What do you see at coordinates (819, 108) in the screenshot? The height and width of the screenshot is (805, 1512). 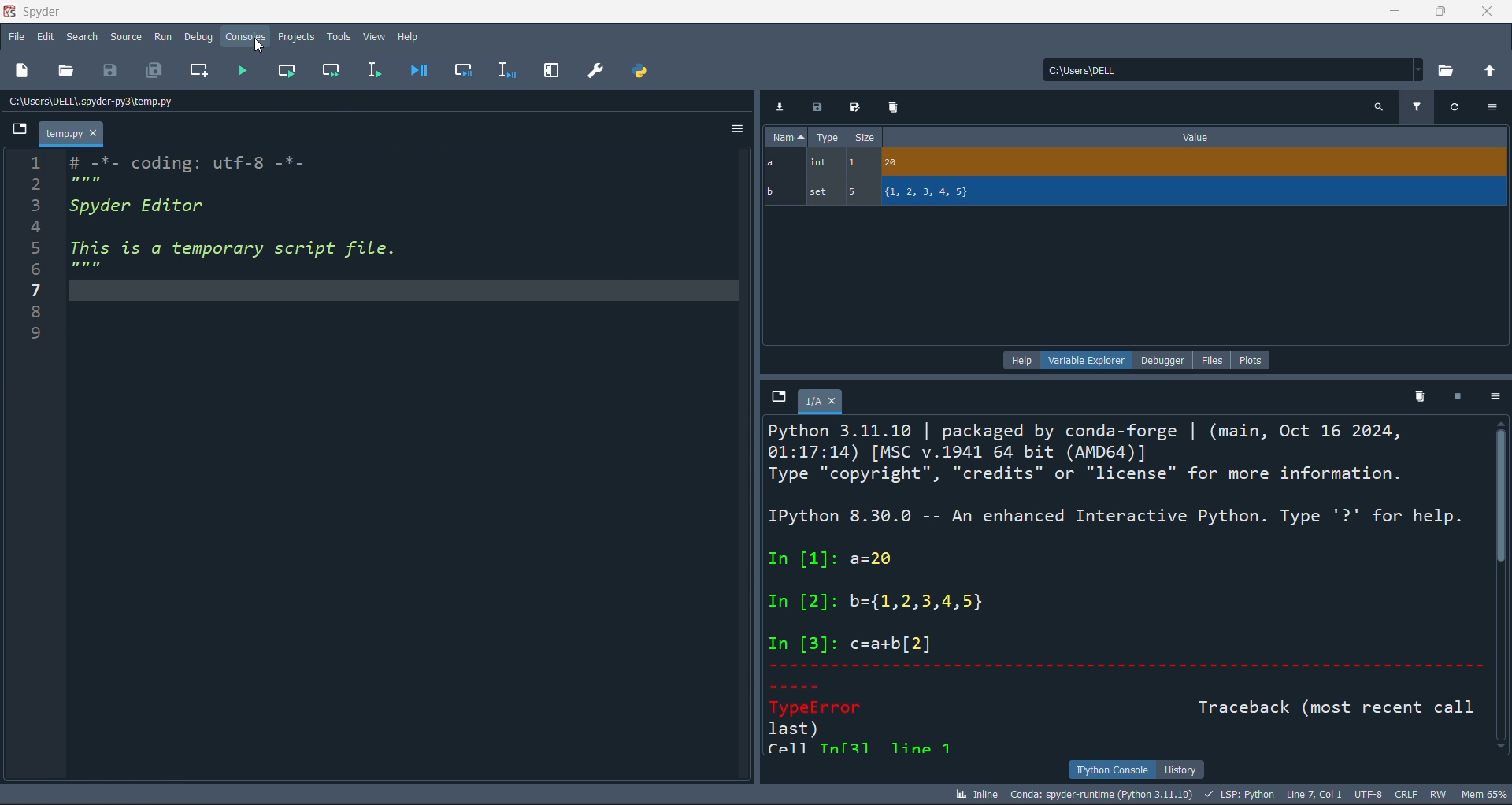 I see `save` at bounding box center [819, 108].